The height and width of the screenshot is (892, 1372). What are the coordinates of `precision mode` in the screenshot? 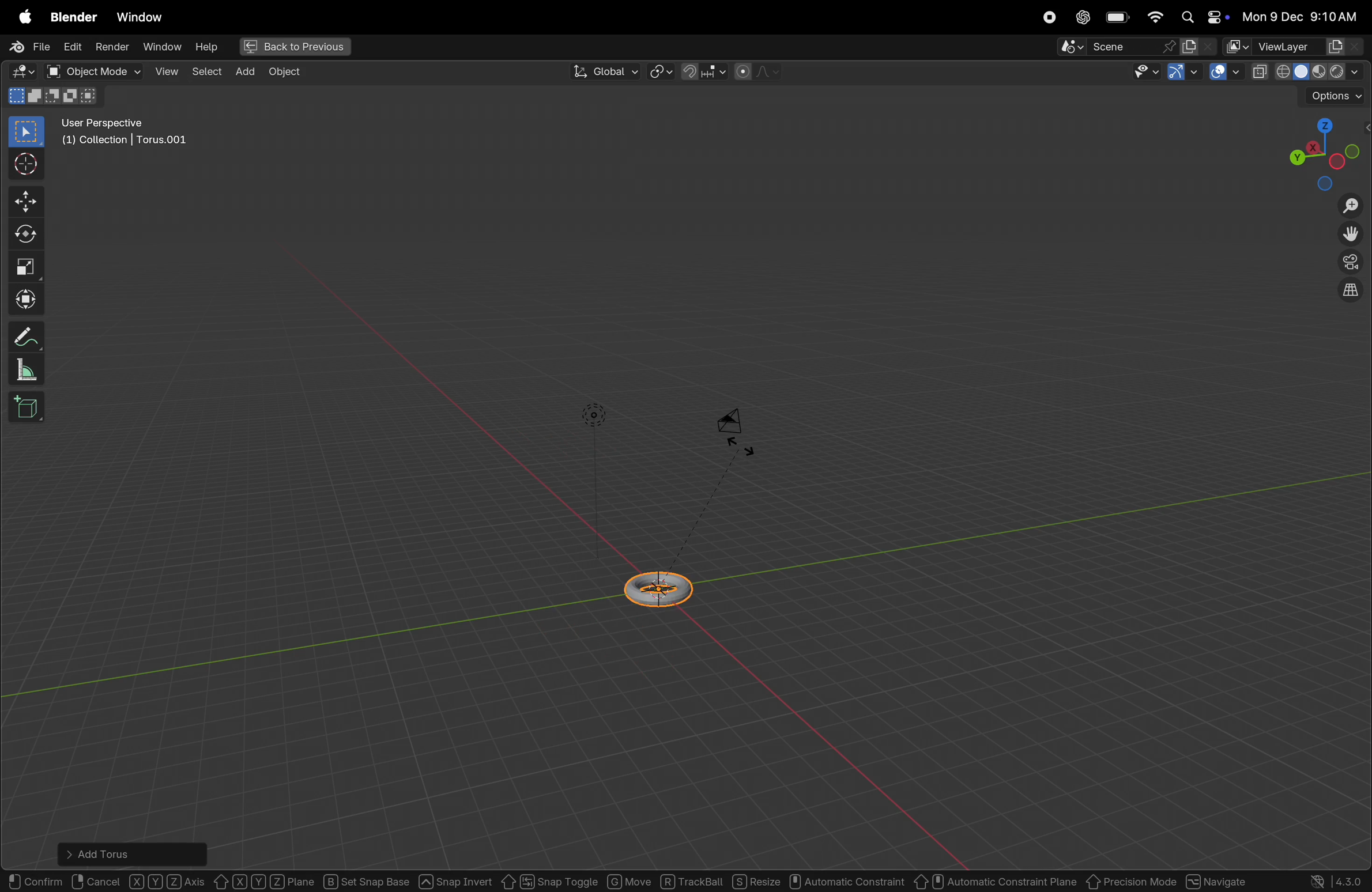 It's located at (1132, 879).